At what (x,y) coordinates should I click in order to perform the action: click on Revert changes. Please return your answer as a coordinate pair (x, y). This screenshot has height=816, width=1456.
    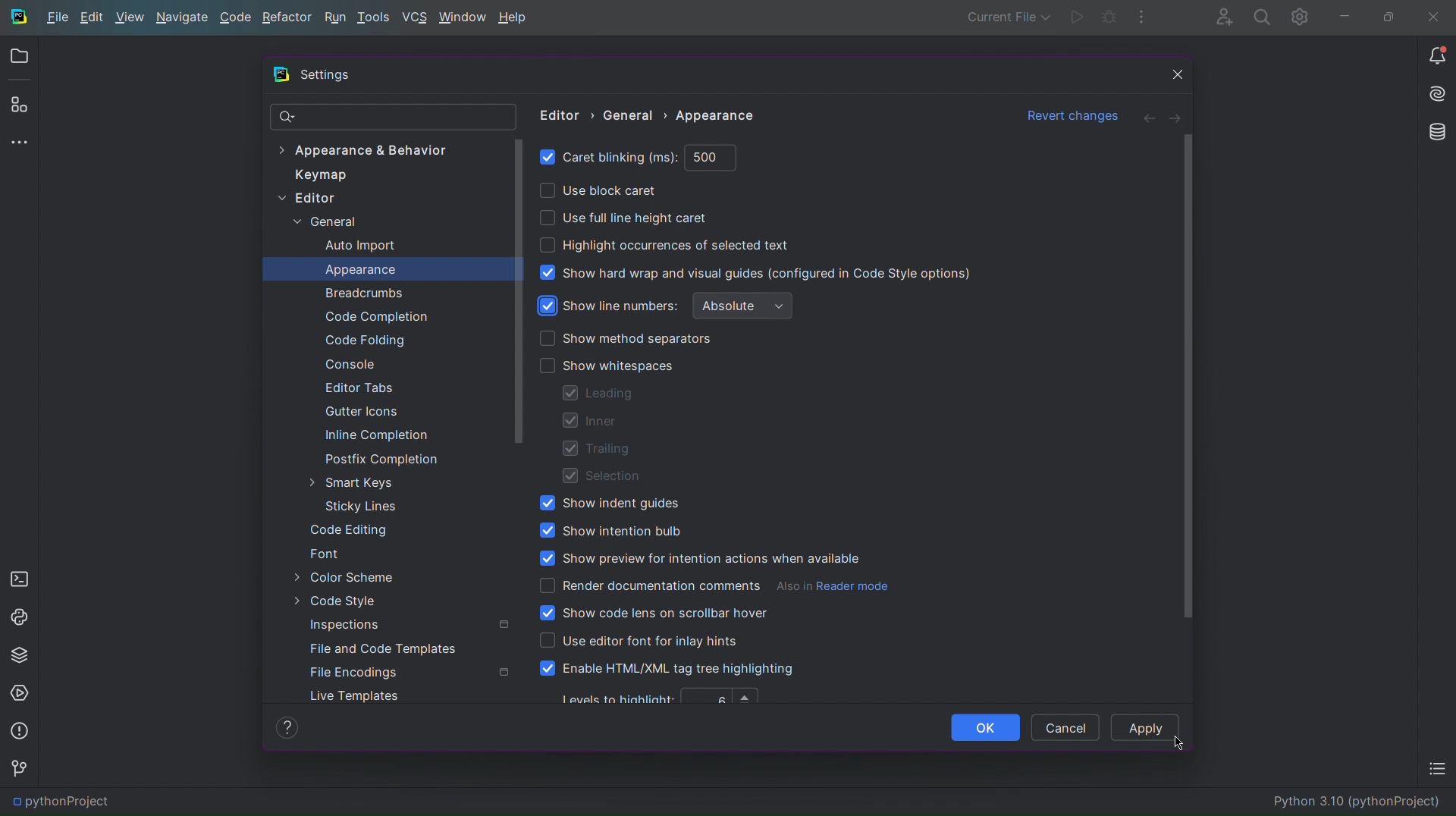
    Looking at the image, I should click on (1071, 115).